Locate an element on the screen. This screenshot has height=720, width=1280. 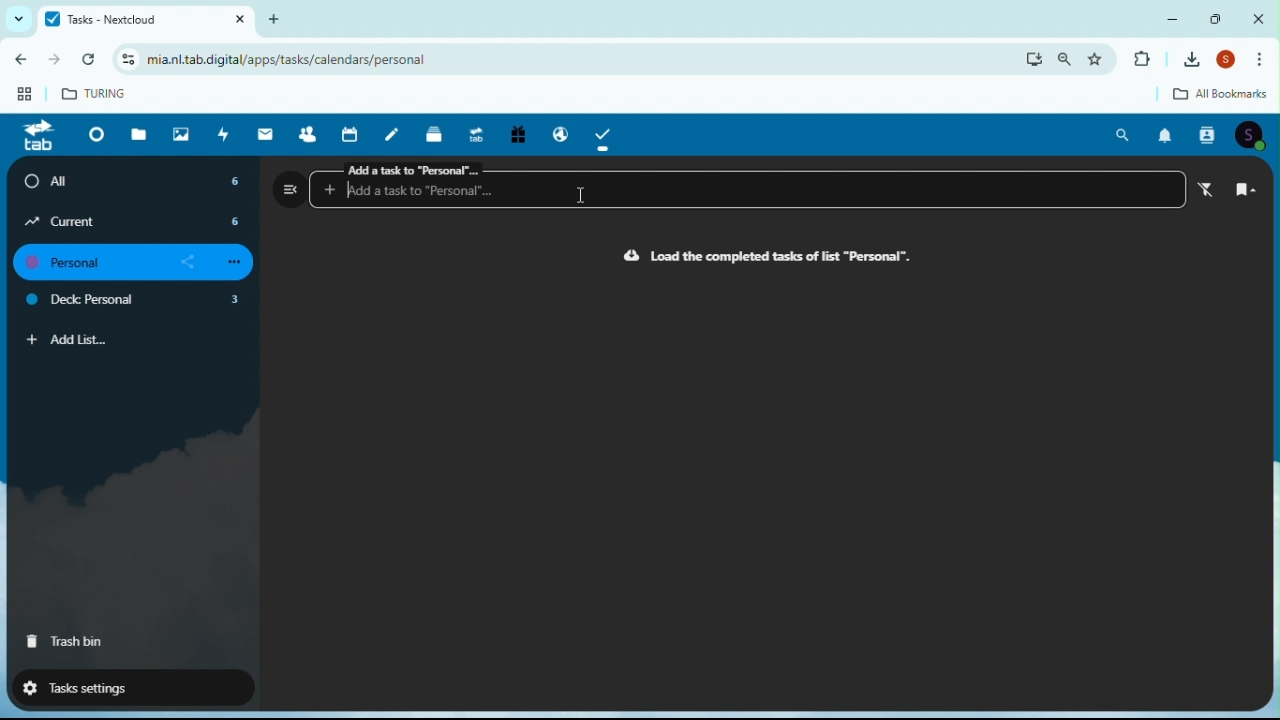
download is located at coordinates (1034, 59).